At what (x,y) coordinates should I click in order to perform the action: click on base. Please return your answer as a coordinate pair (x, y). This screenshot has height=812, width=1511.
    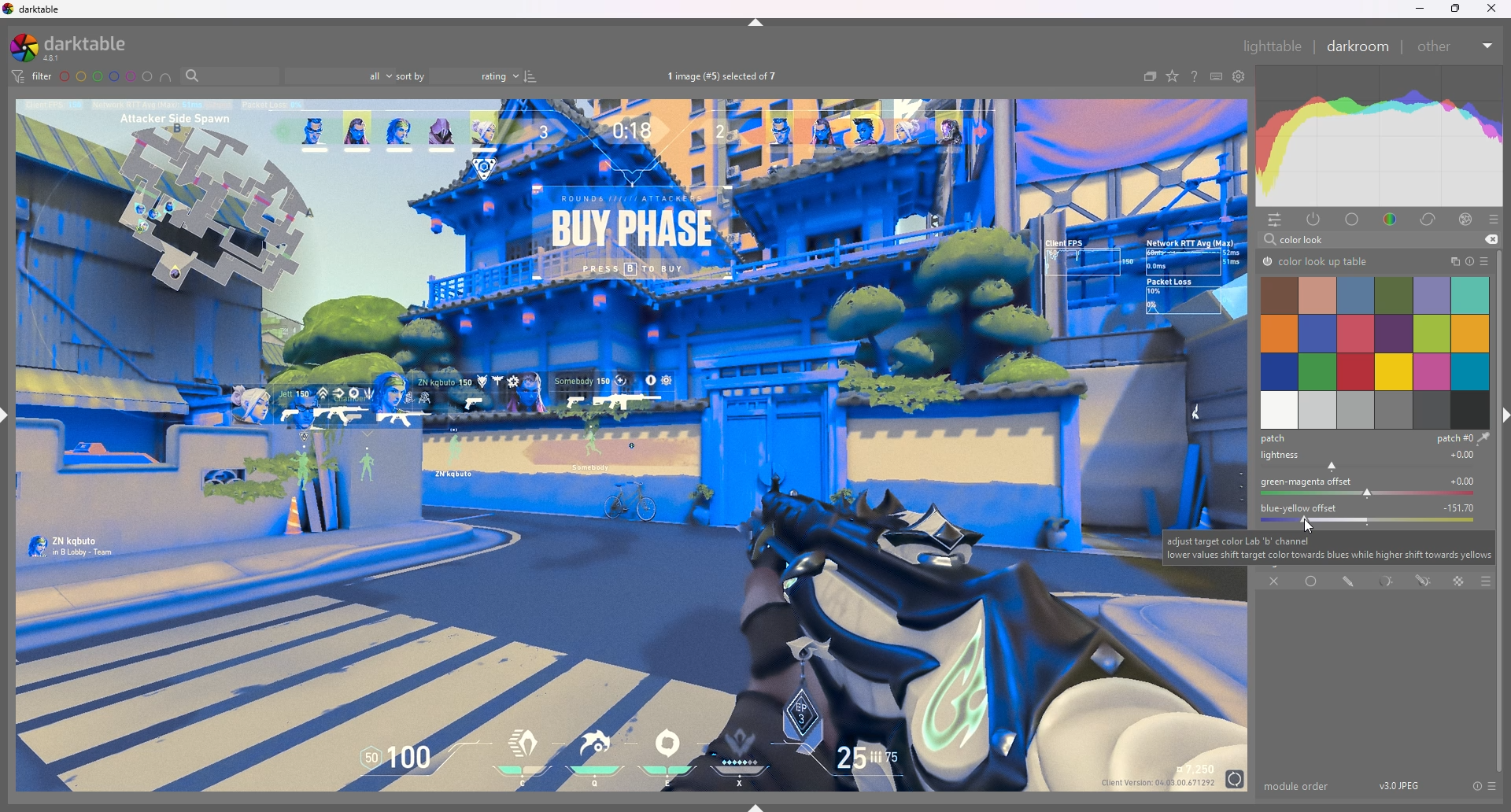
    Looking at the image, I should click on (1354, 219).